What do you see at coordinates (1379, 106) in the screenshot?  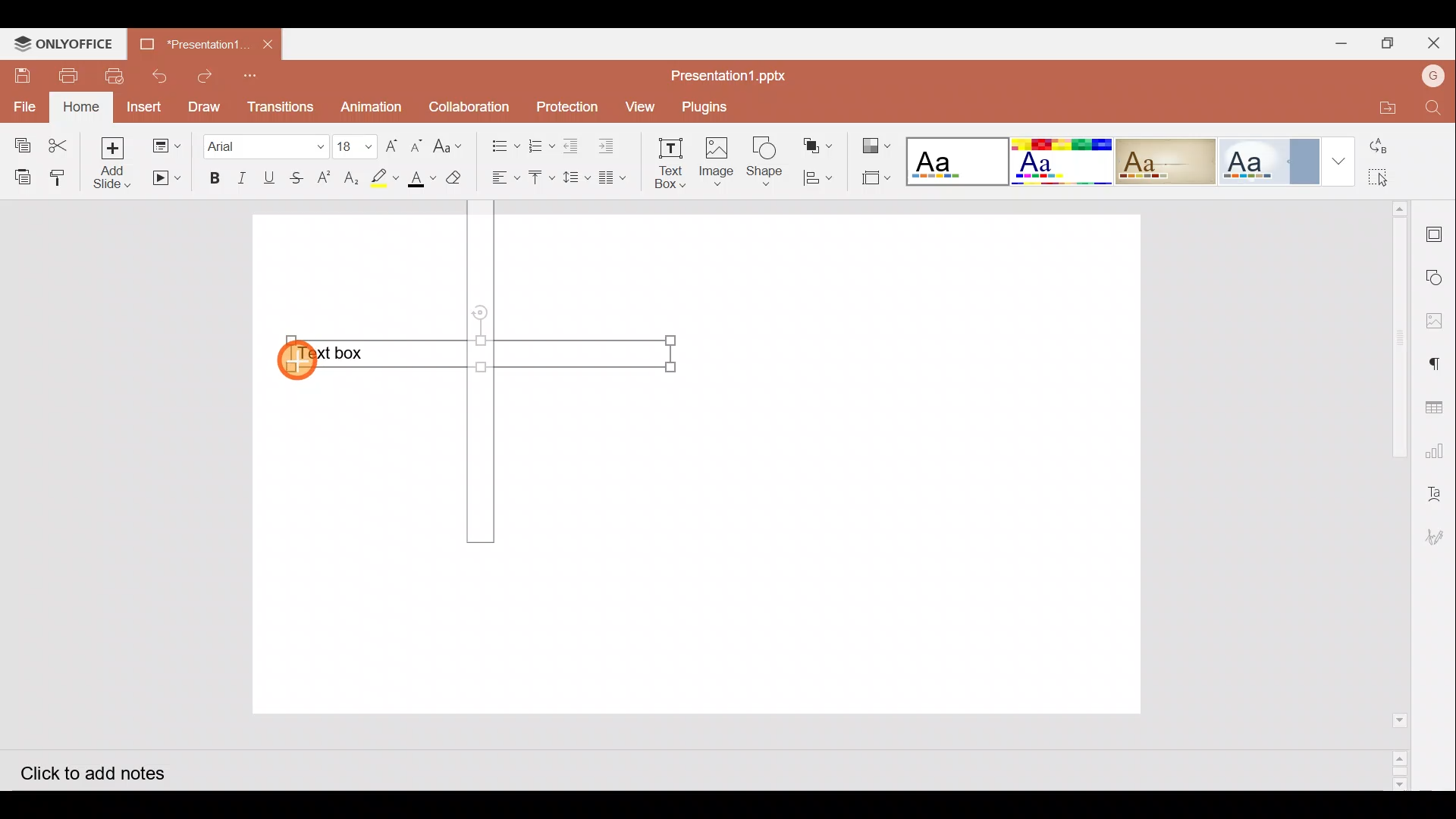 I see `Open file location` at bounding box center [1379, 106].